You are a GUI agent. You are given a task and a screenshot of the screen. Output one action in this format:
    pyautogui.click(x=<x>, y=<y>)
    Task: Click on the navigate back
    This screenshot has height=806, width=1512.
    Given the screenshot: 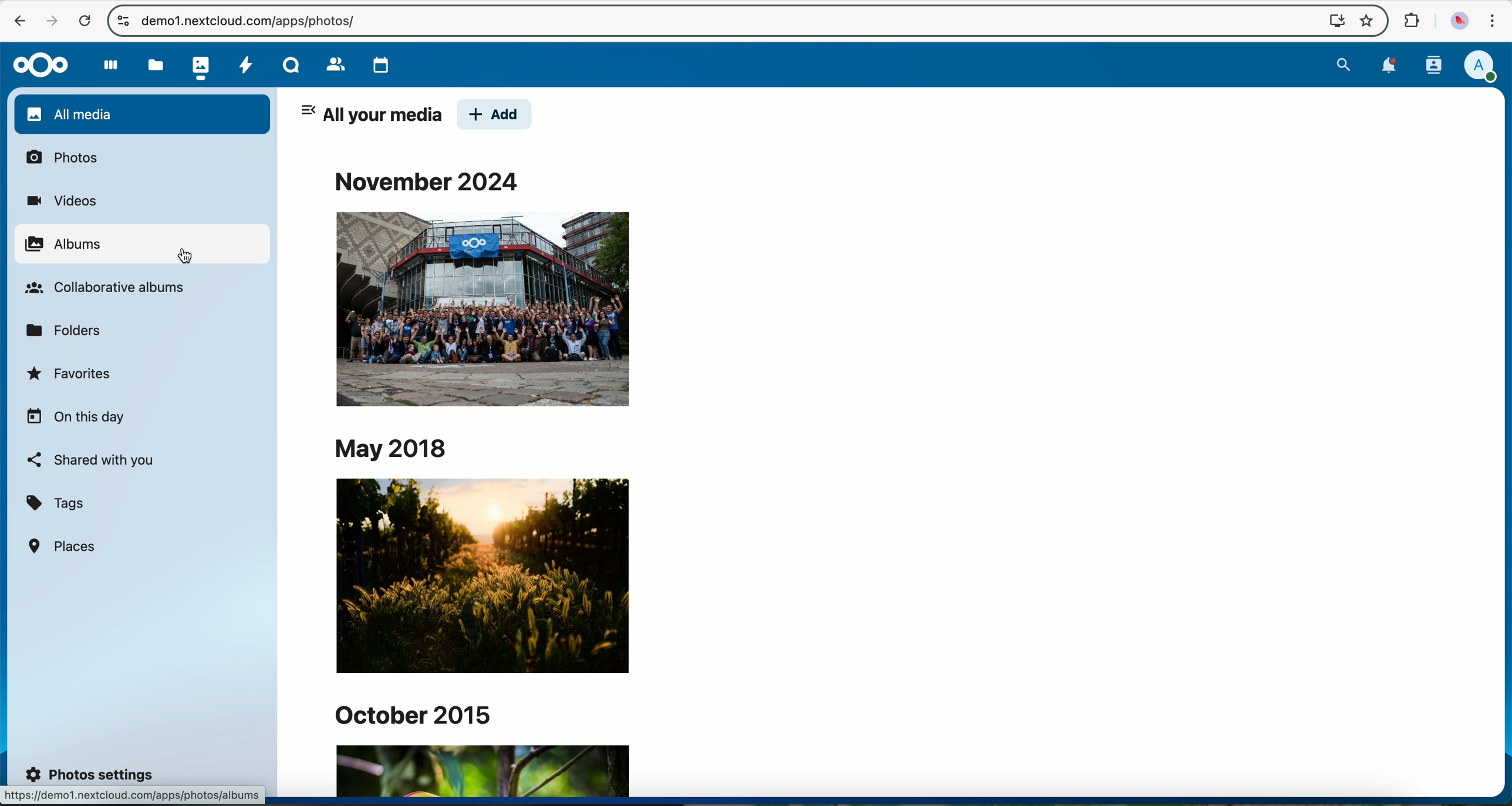 What is the action you would take?
    pyautogui.click(x=15, y=19)
    